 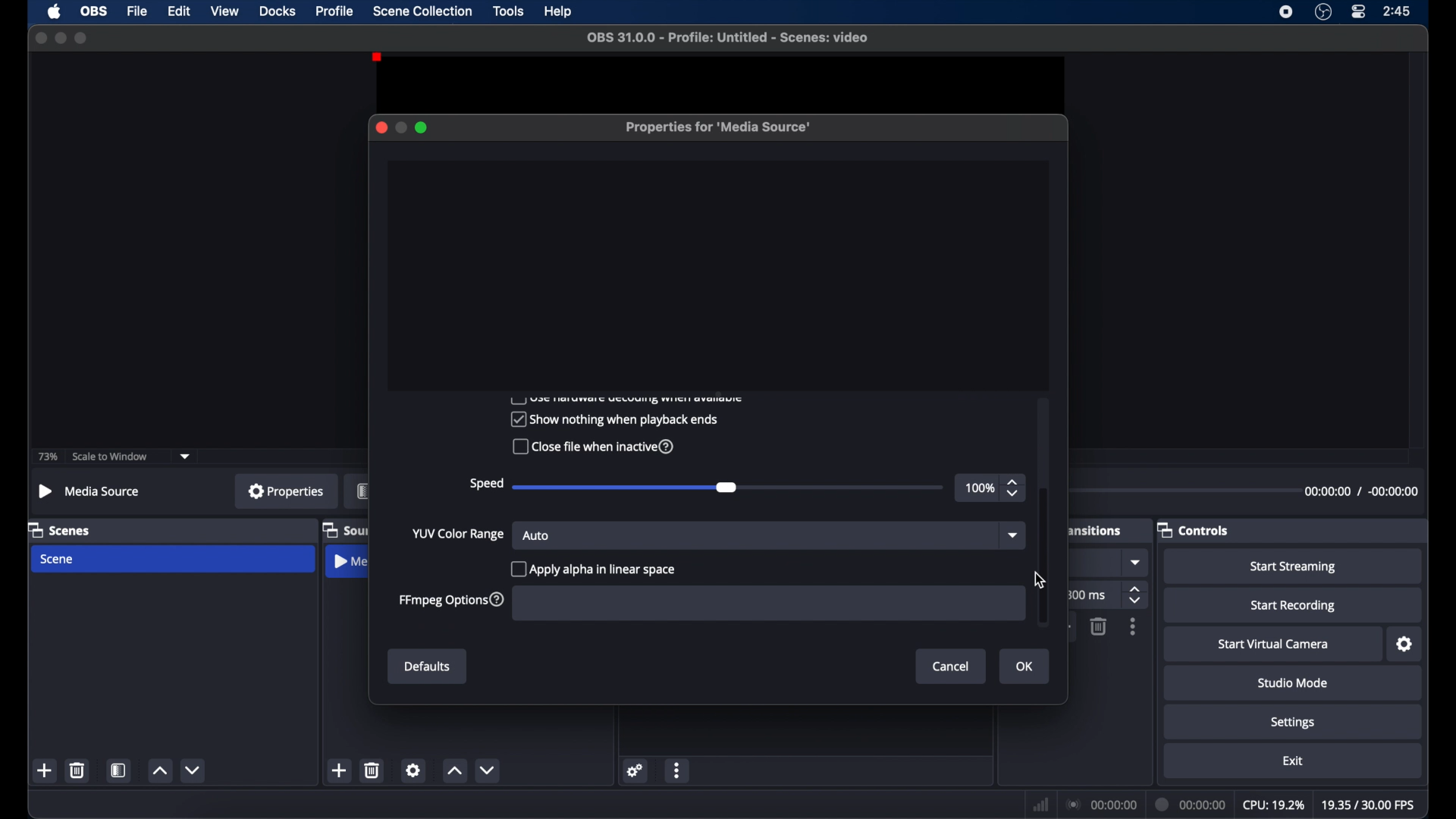 What do you see at coordinates (94, 11) in the screenshot?
I see `obs` at bounding box center [94, 11].